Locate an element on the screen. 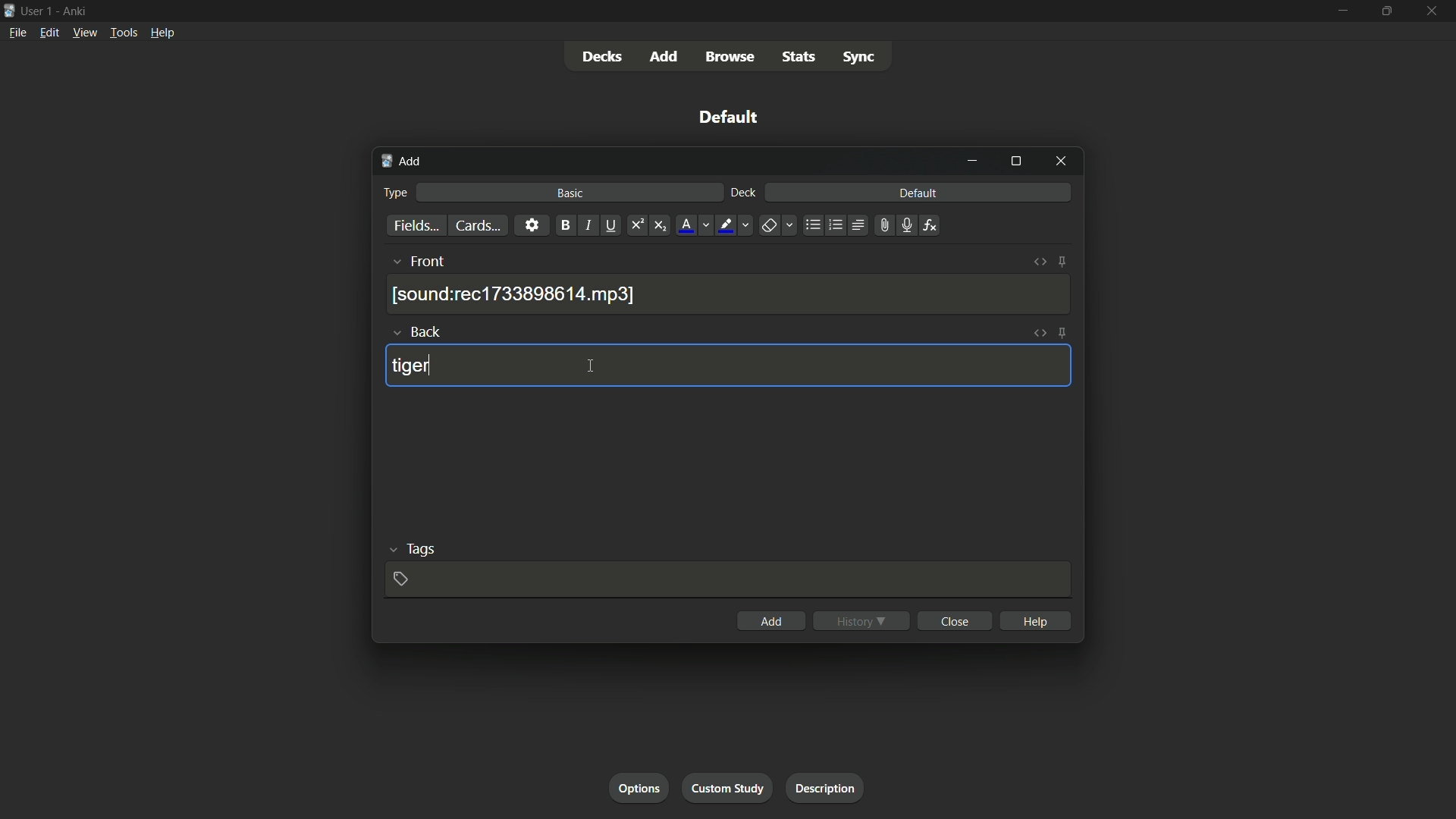 The height and width of the screenshot is (819, 1456). cursor is located at coordinates (591, 367).